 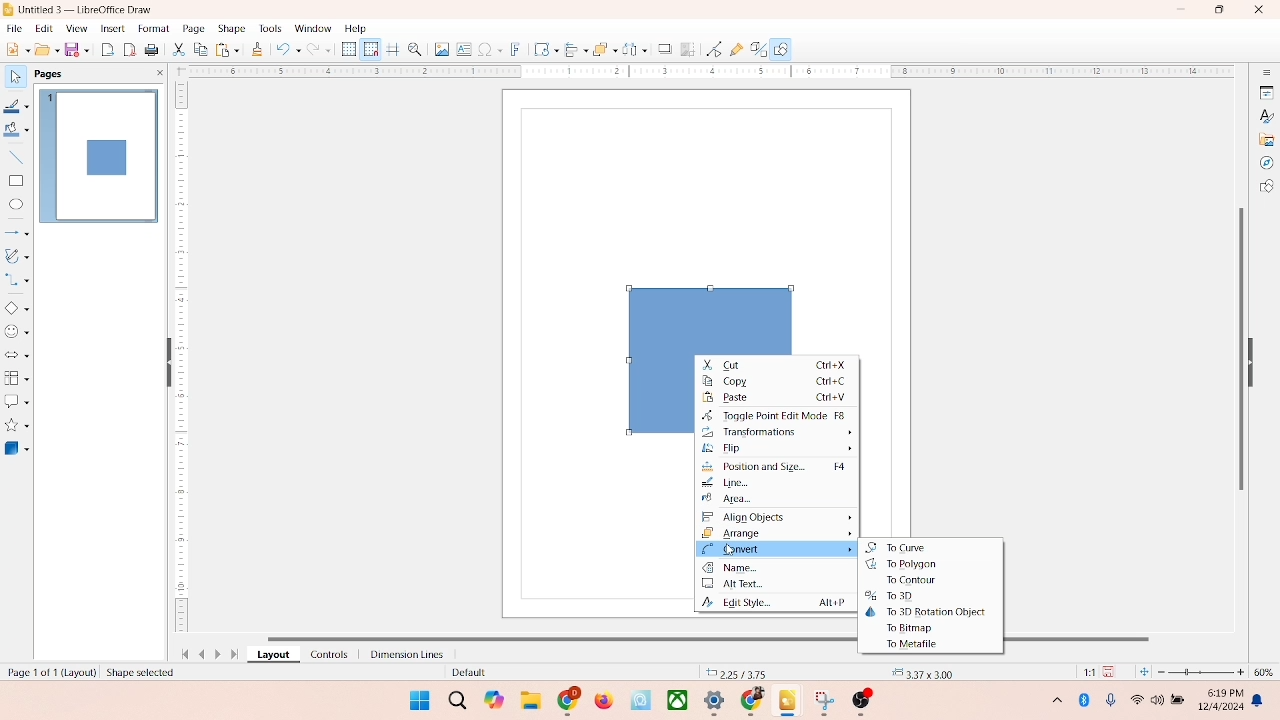 What do you see at coordinates (737, 671) in the screenshot?
I see `coordinates` at bounding box center [737, 671].